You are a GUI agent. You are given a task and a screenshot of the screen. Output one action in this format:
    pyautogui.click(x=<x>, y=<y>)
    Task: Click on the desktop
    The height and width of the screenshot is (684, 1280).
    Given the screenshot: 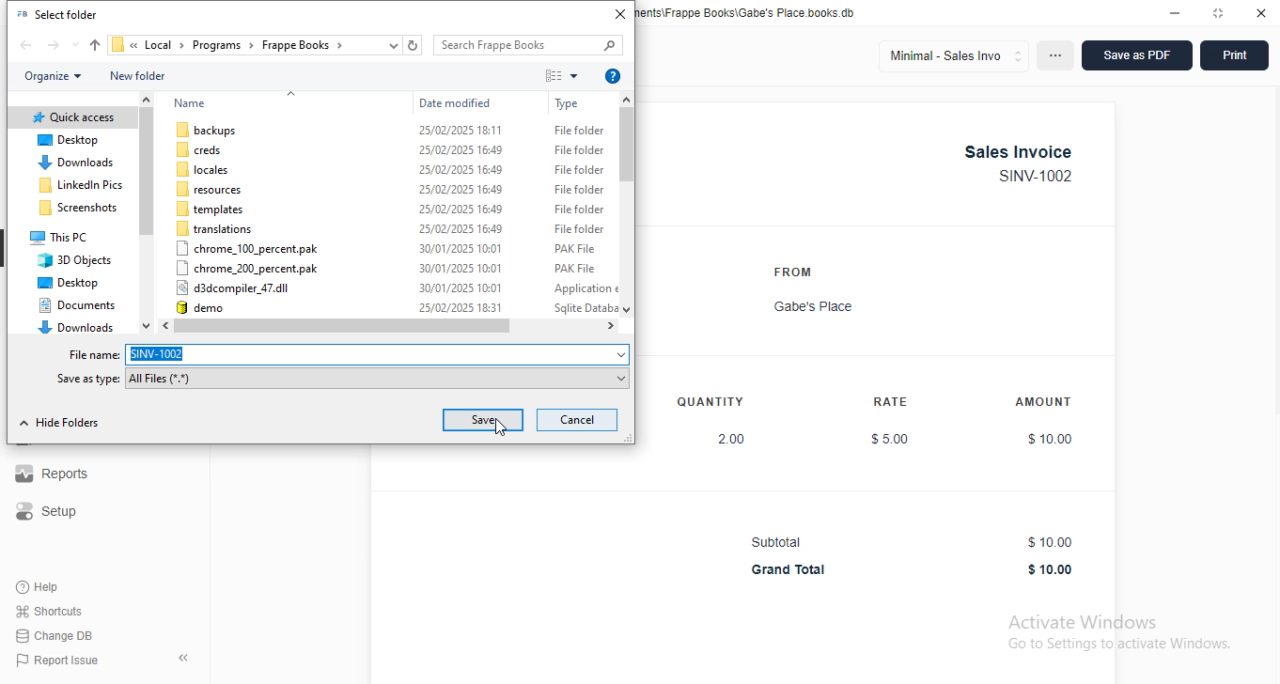 What is the action you would take?
    pyautogui.click(x=70, y=140)
    